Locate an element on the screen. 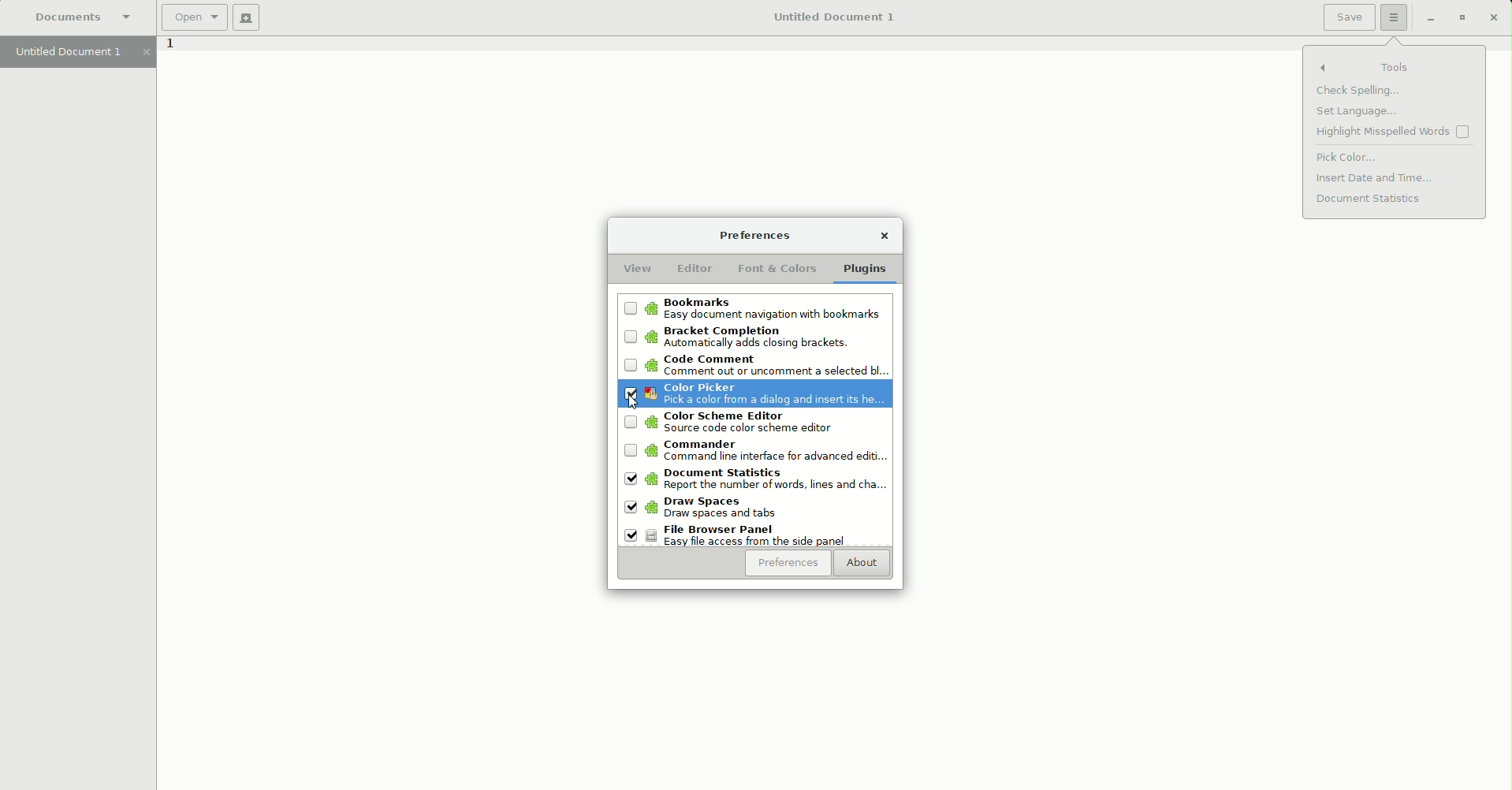 This screenshot has height=790, width=1512. Document statistics is located at coordinates (1380, 199).